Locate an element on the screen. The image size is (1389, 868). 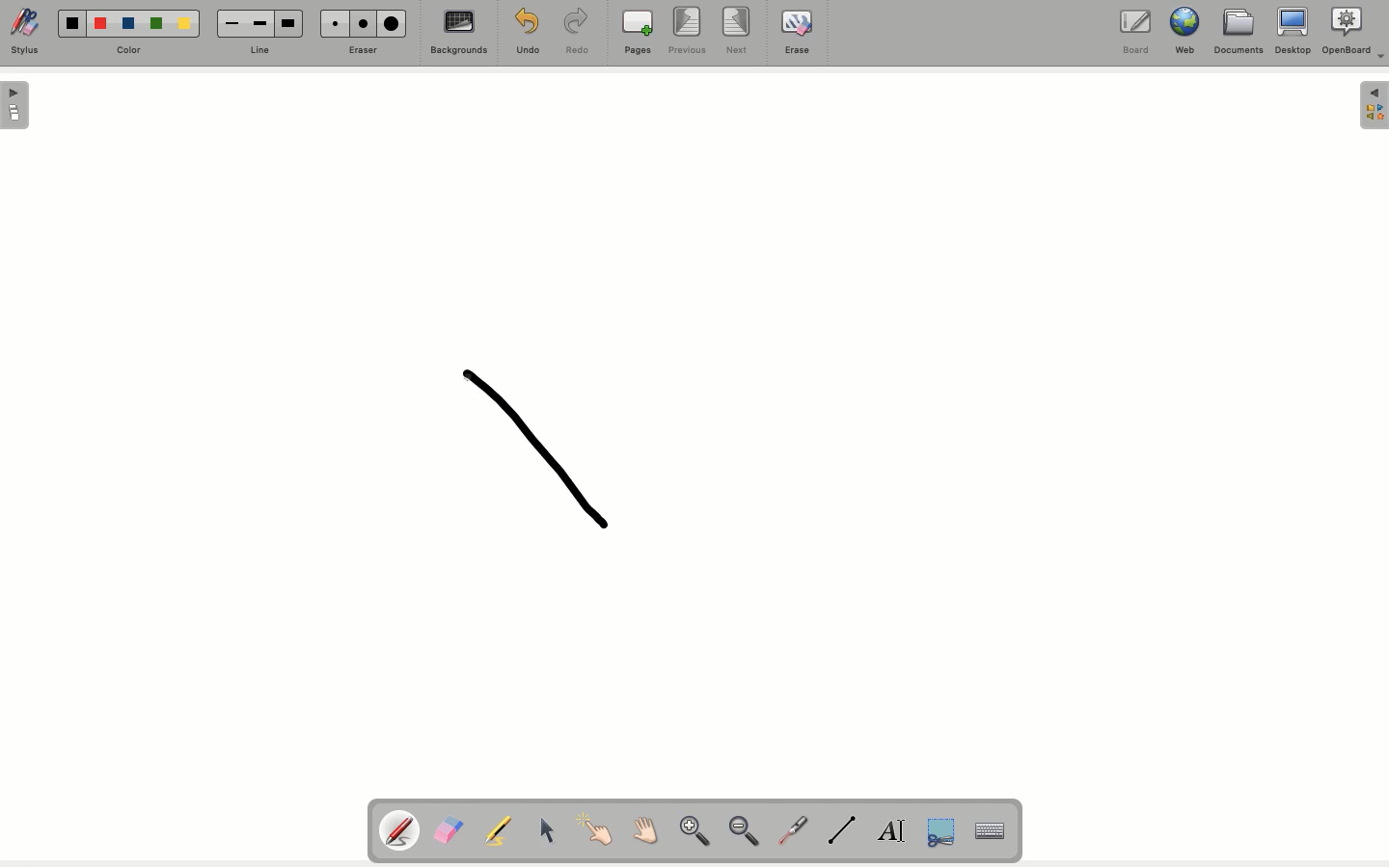
Large is located at coordinates (290, 21).